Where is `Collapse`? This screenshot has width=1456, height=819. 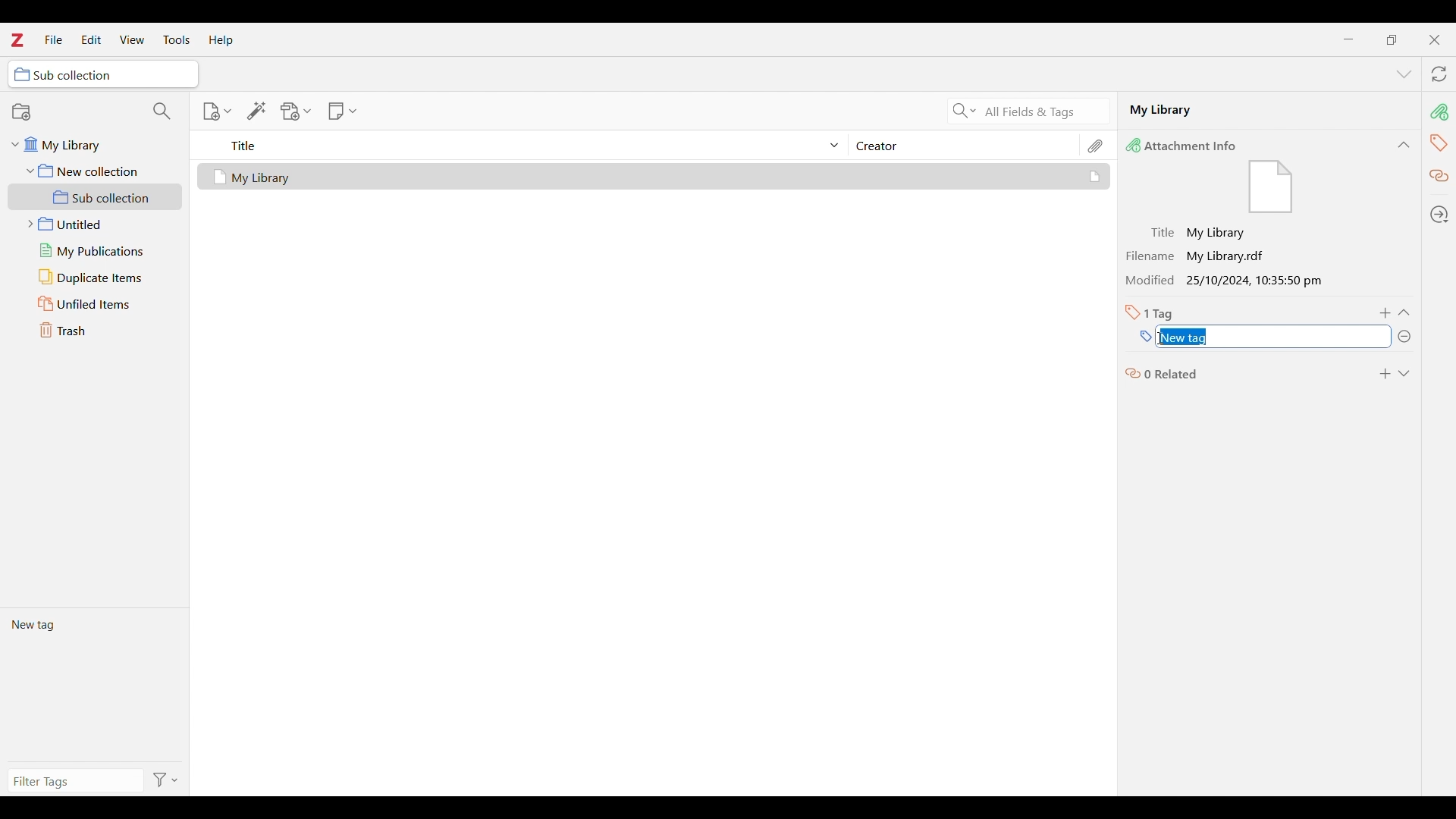 Collapse is located at coordinates (1404, 145).